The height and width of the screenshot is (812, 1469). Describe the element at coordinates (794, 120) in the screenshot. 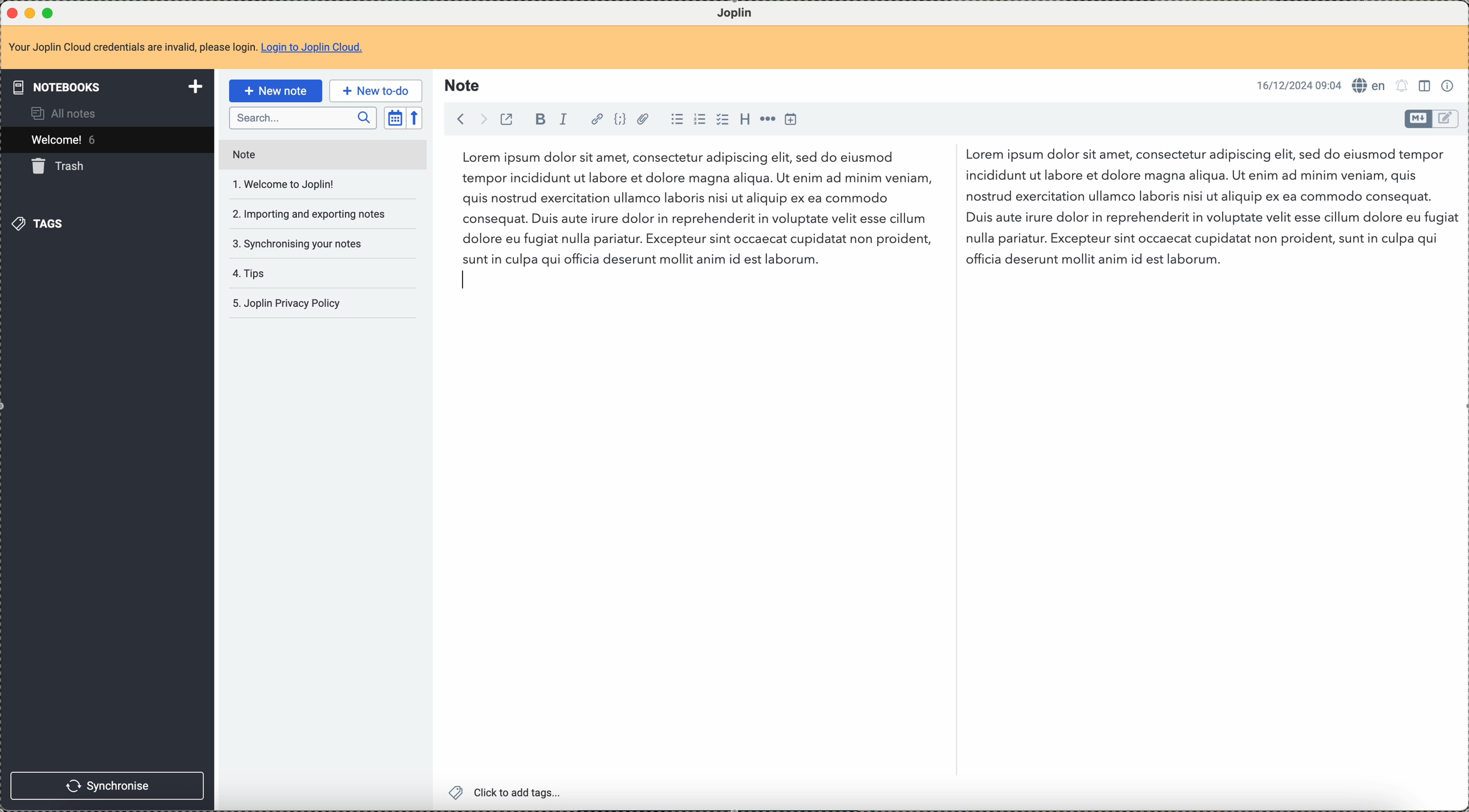

I see `insert time` at that location.